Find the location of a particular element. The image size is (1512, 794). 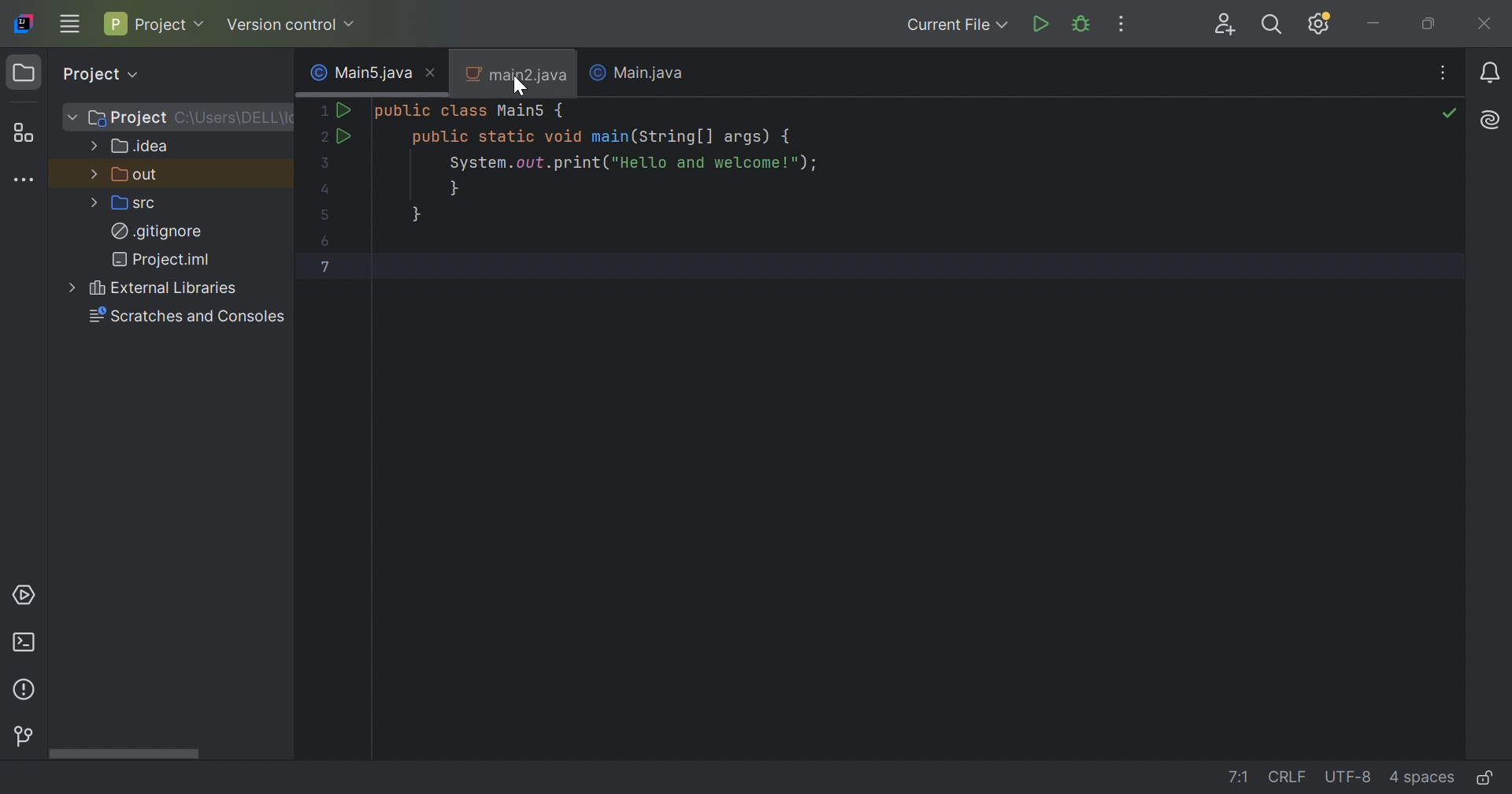

4 is located at coordinates (324, 188).